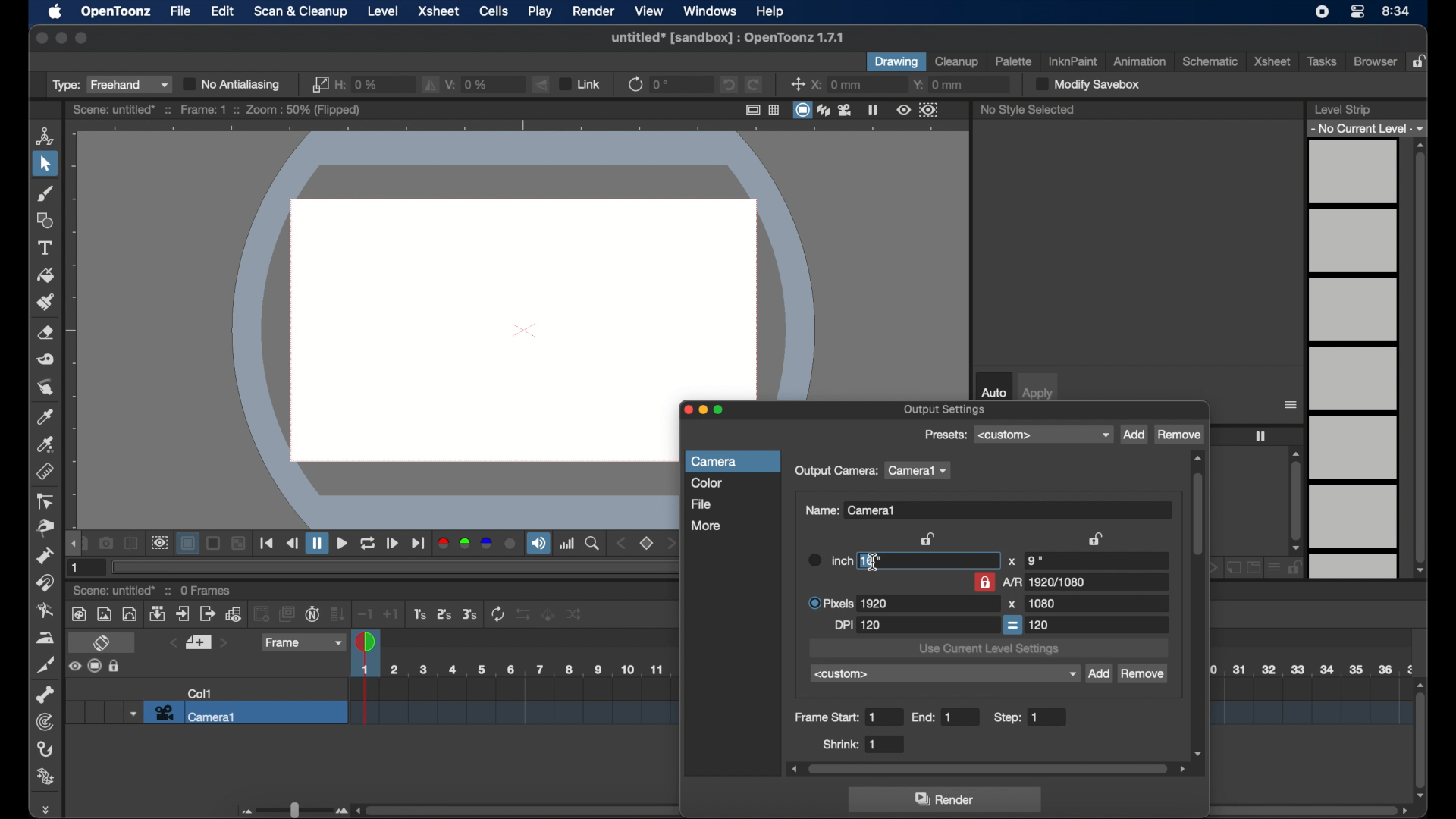 The height and width of the screenshot is (819, 1456). I want to click on snapshot, so click(106, 542).